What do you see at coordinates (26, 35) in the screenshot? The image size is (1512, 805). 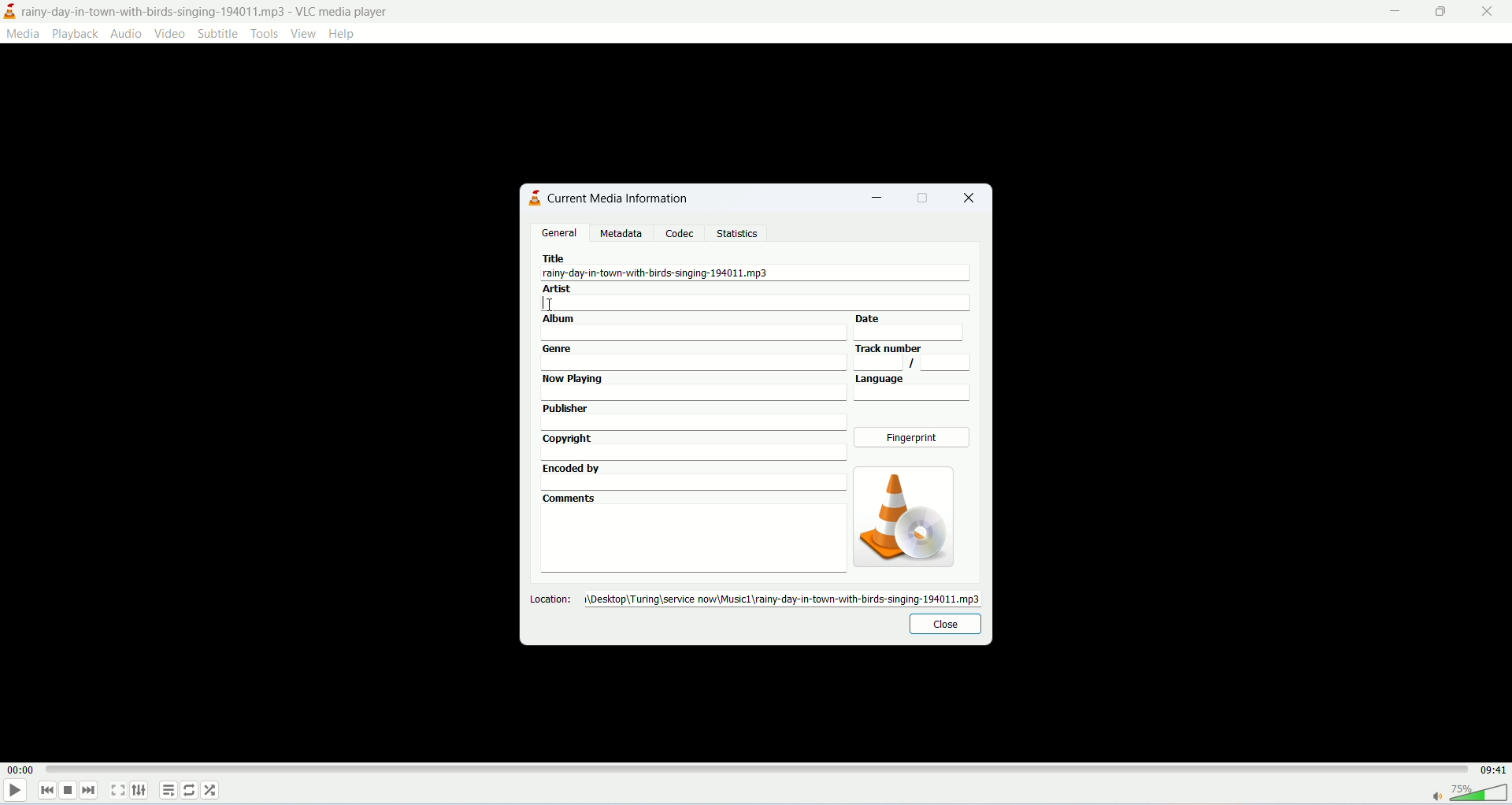 I see `media` at bounding box center [26, 35].